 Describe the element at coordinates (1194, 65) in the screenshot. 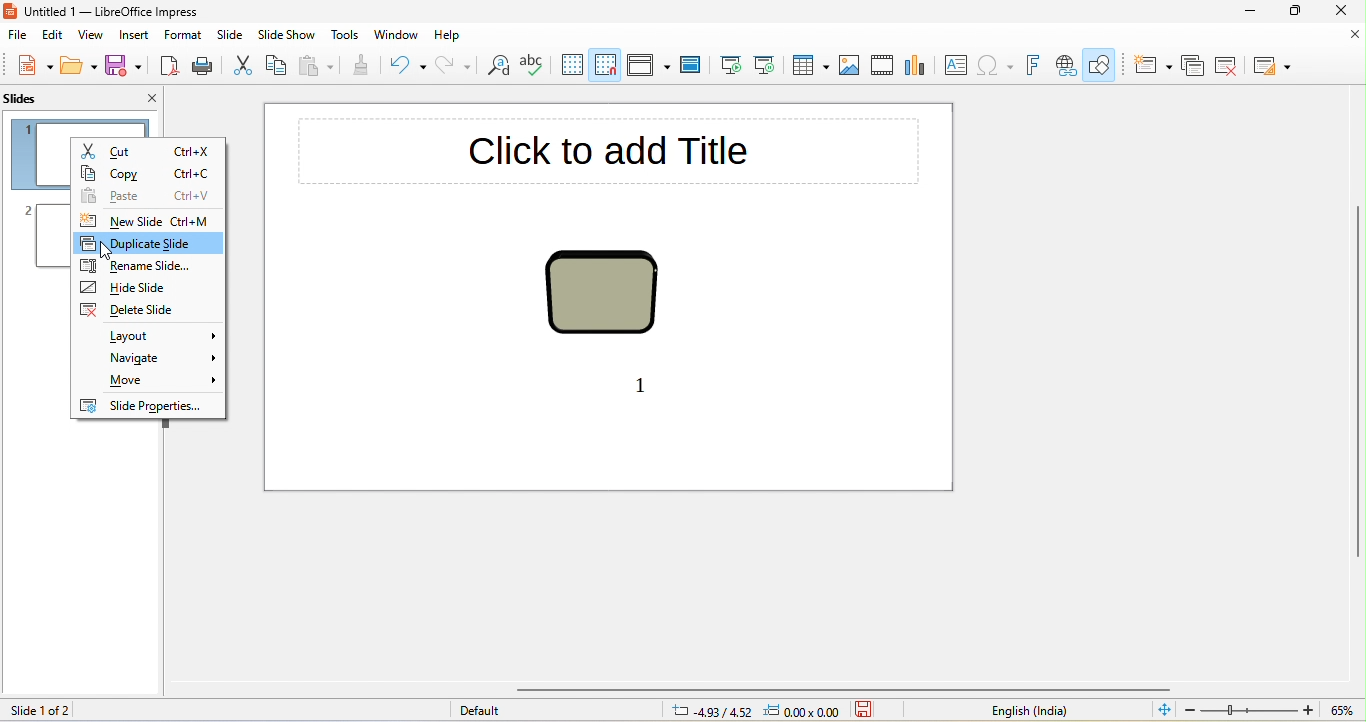

I see `duplicate slide` at that location.